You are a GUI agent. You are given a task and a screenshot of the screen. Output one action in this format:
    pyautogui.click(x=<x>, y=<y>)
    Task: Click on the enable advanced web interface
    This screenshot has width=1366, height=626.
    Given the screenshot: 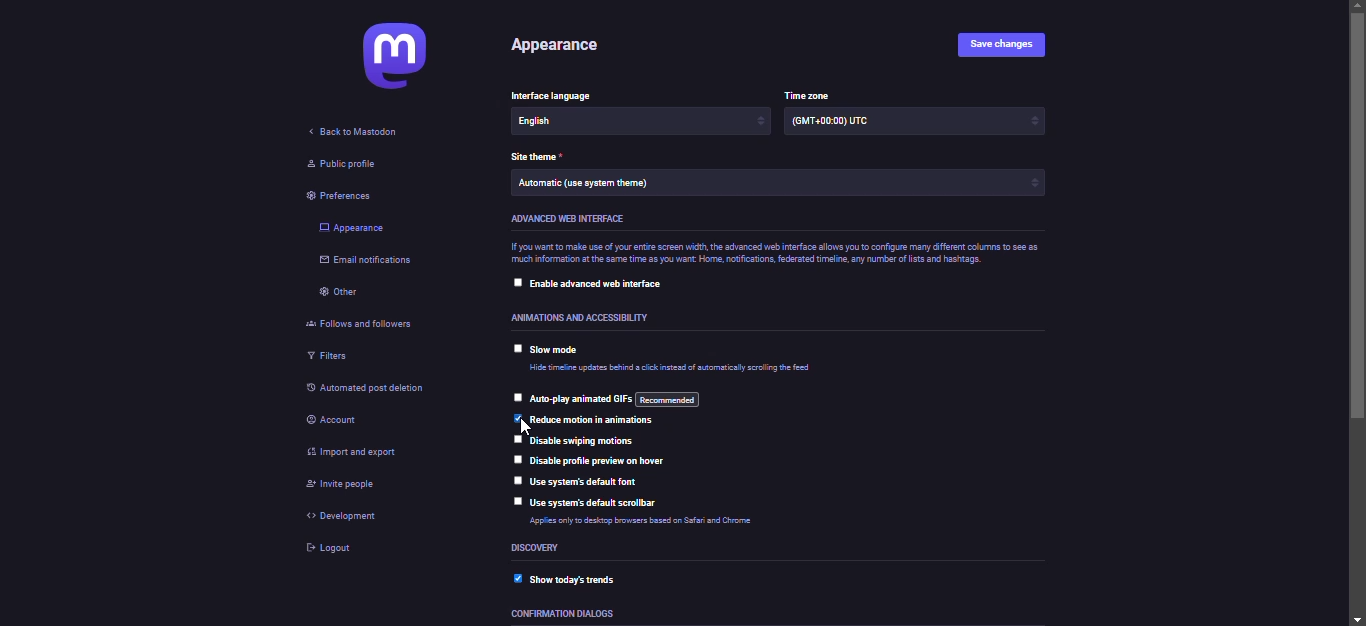 What is the action you would take?
    pyautogui.click(x=596, y=282)
    